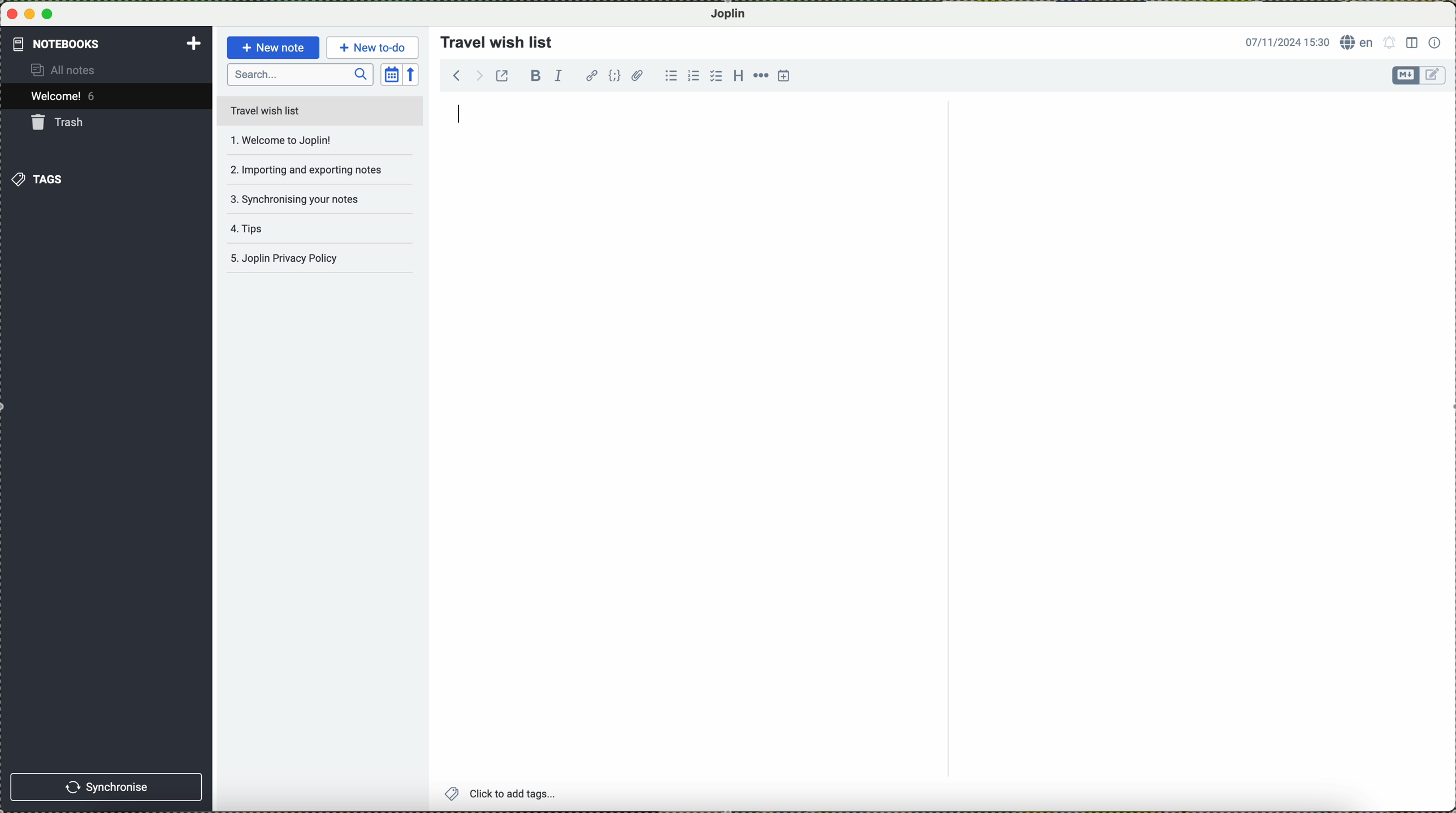 The height and width of the screenshot is (813, 1456). I want to click on horizontal rule, so click(760, 75).